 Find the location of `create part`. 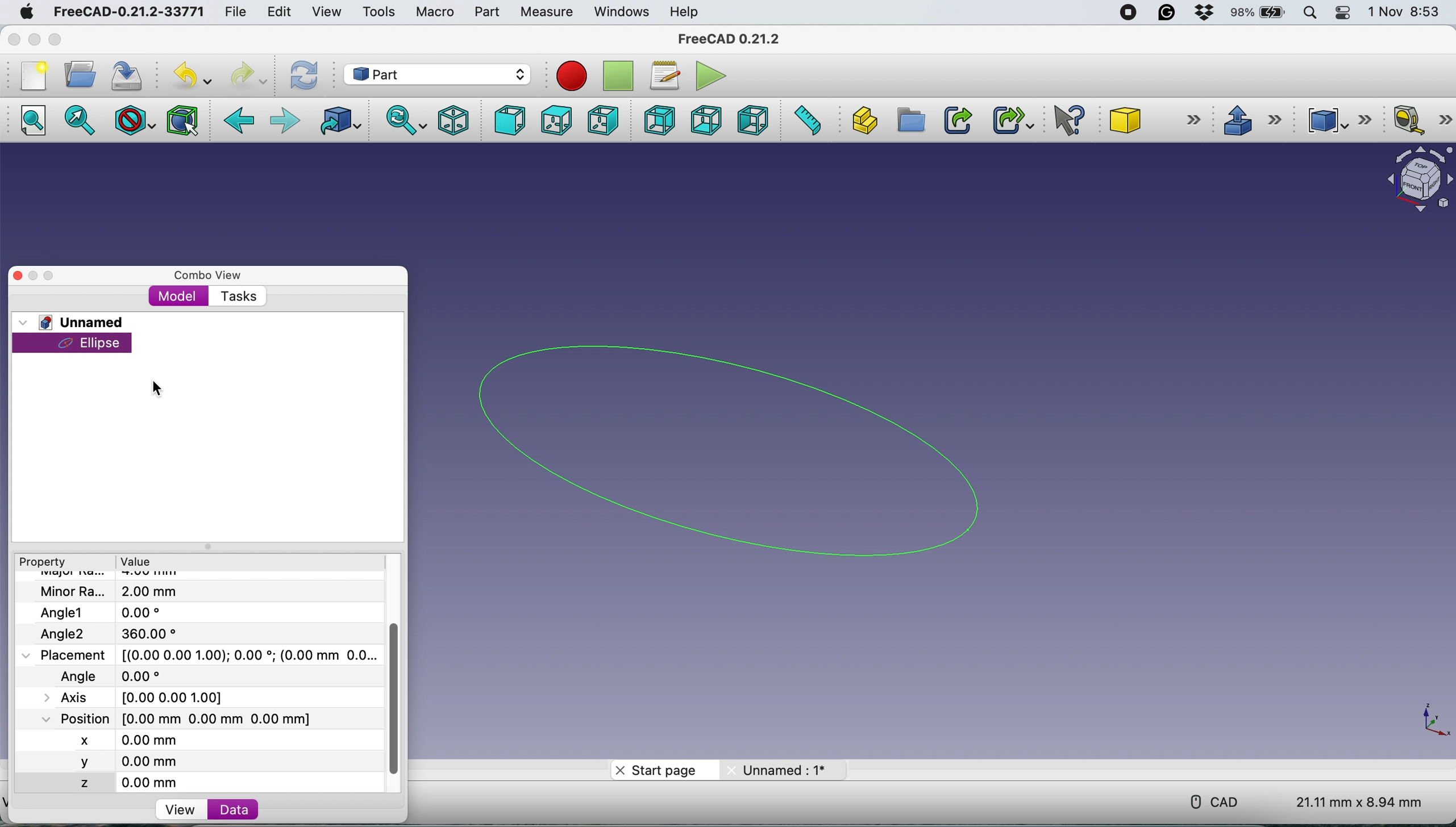

create part is located at coordinates (860, 121).